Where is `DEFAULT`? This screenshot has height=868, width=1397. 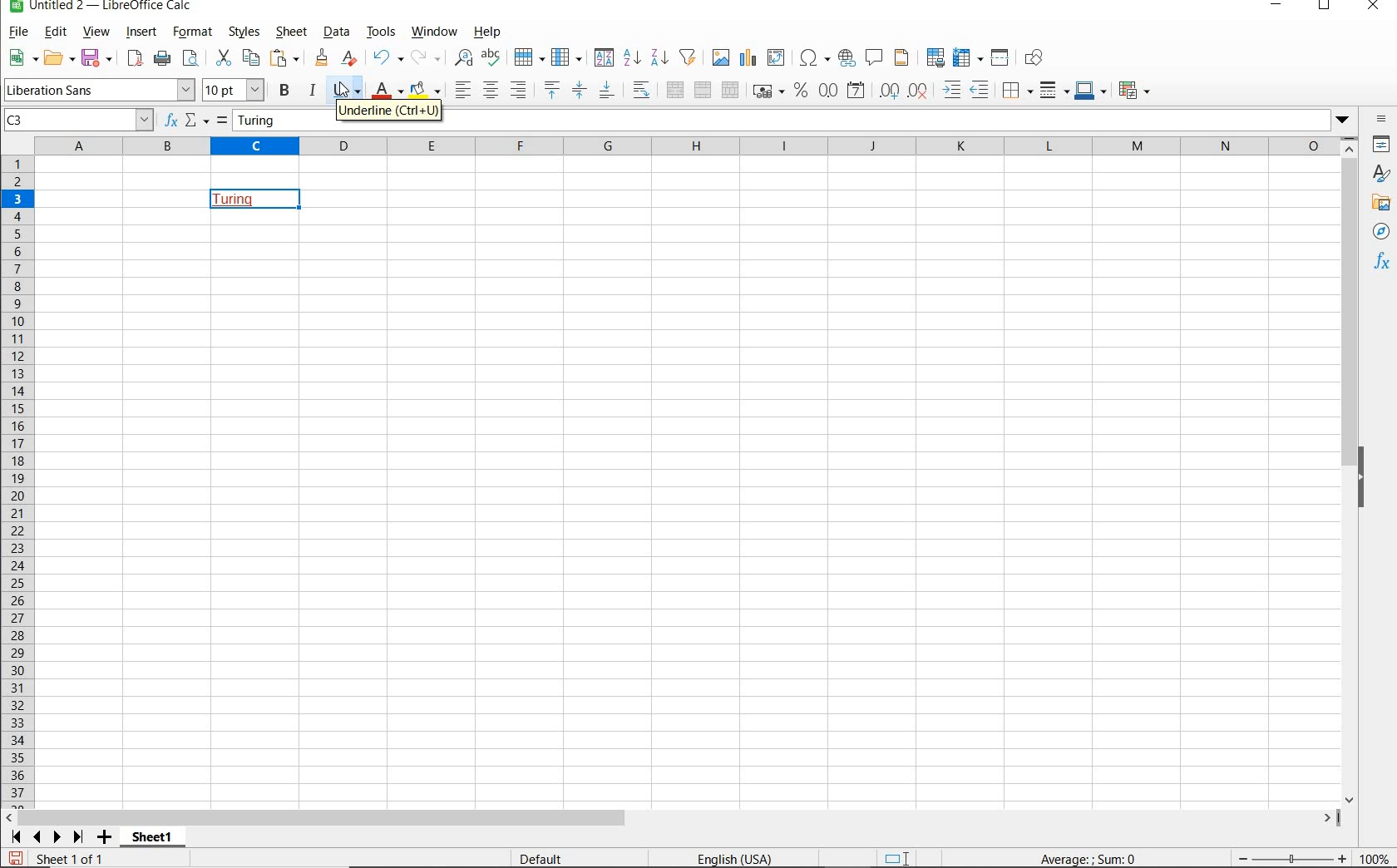
DEFAULT is located at coordinates (545, 857).